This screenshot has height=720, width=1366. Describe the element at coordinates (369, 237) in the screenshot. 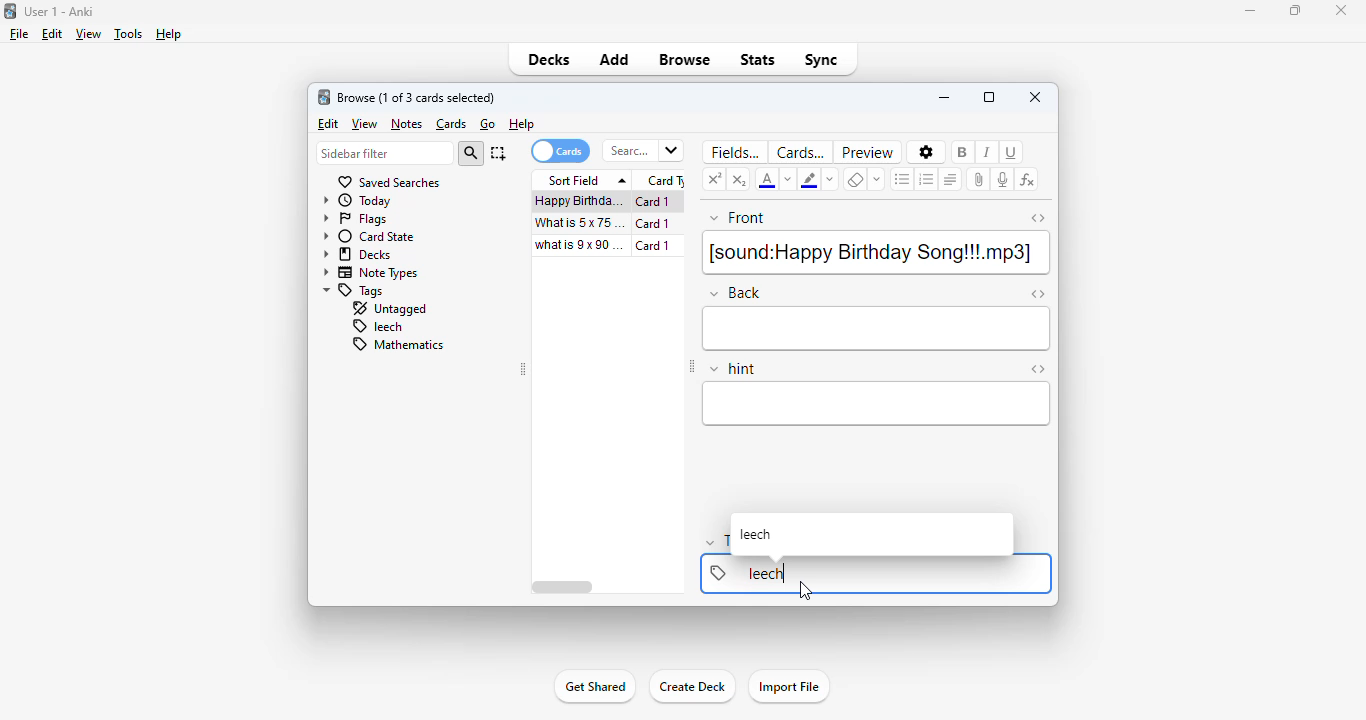

I see `card state` at that location.